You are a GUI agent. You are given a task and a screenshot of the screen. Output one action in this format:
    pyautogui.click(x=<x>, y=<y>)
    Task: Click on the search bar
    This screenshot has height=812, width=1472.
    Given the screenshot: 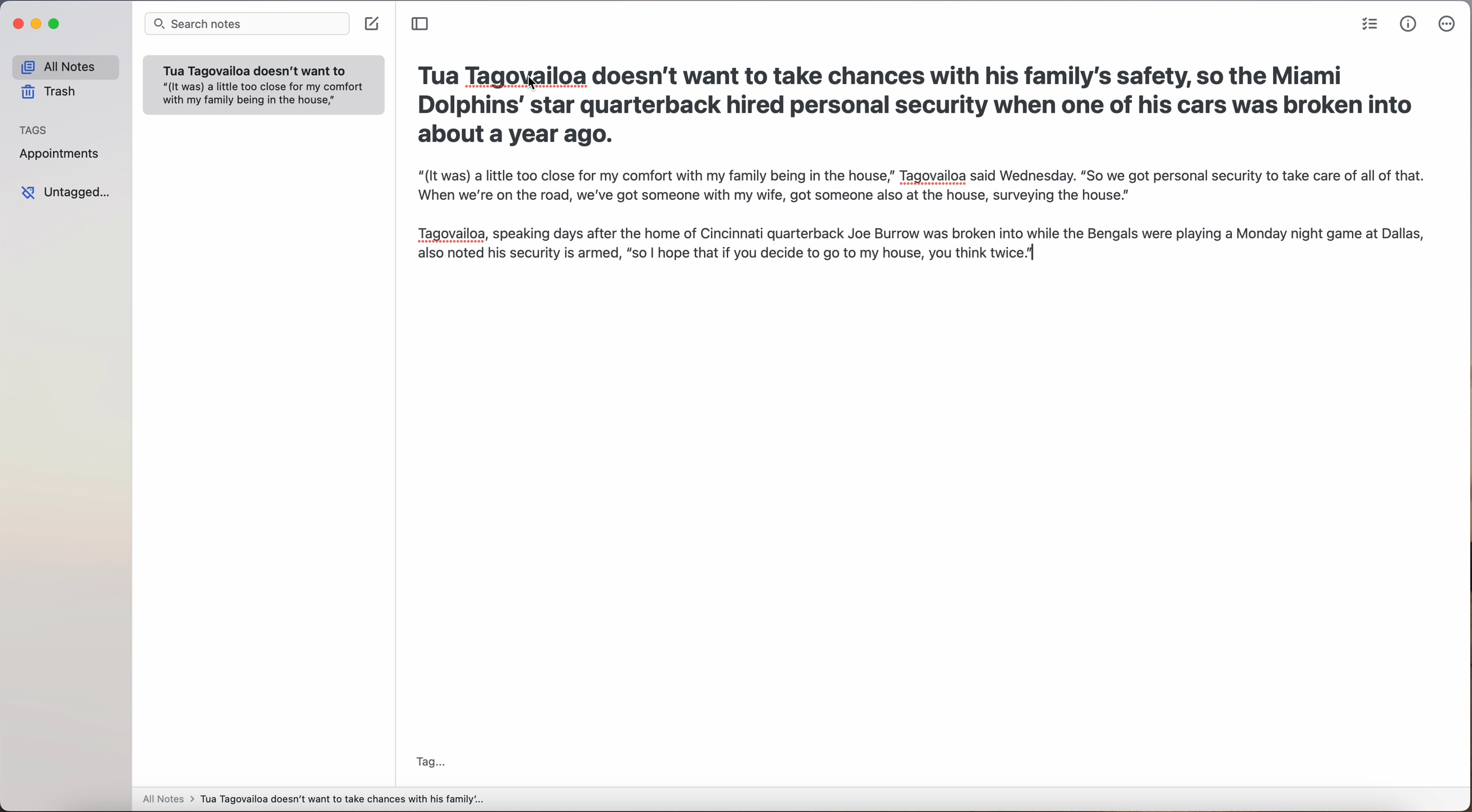 What is the action you would take?
    pyautogui.click(x=246, y=24)
    